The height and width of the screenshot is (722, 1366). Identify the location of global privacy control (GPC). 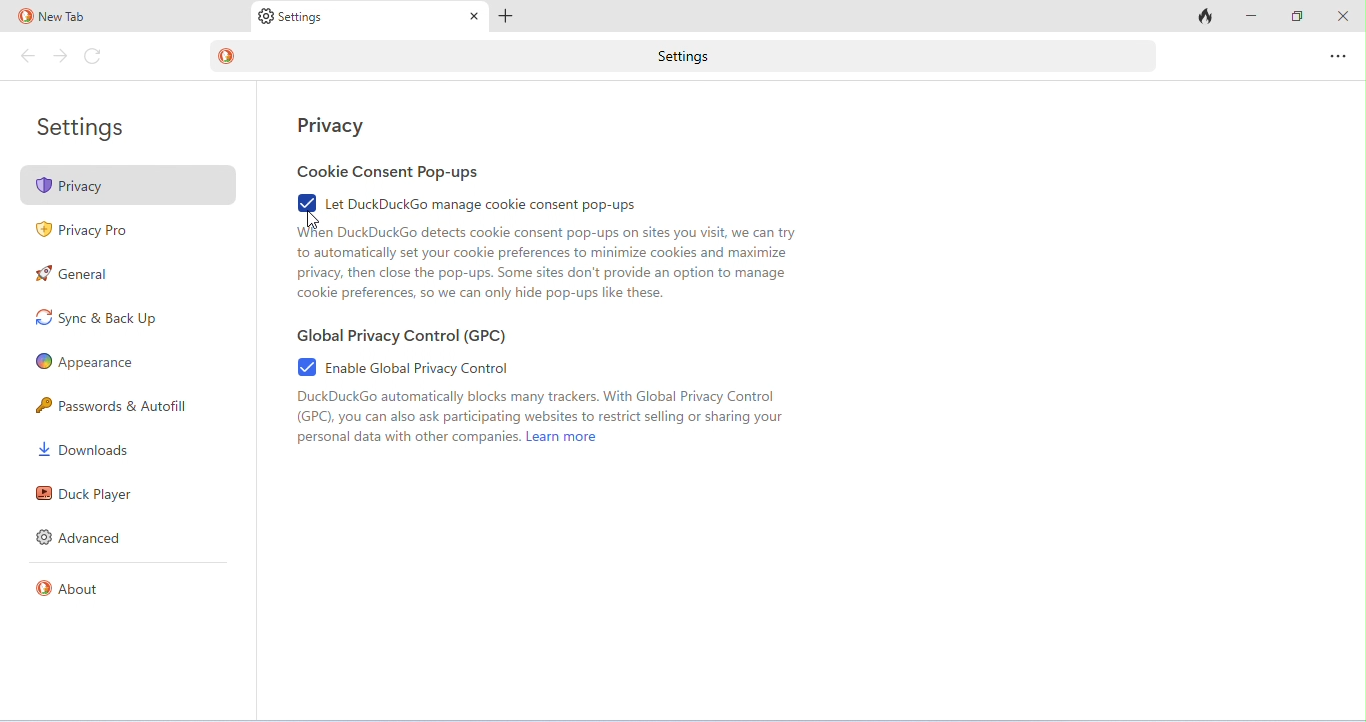
(401, 336).